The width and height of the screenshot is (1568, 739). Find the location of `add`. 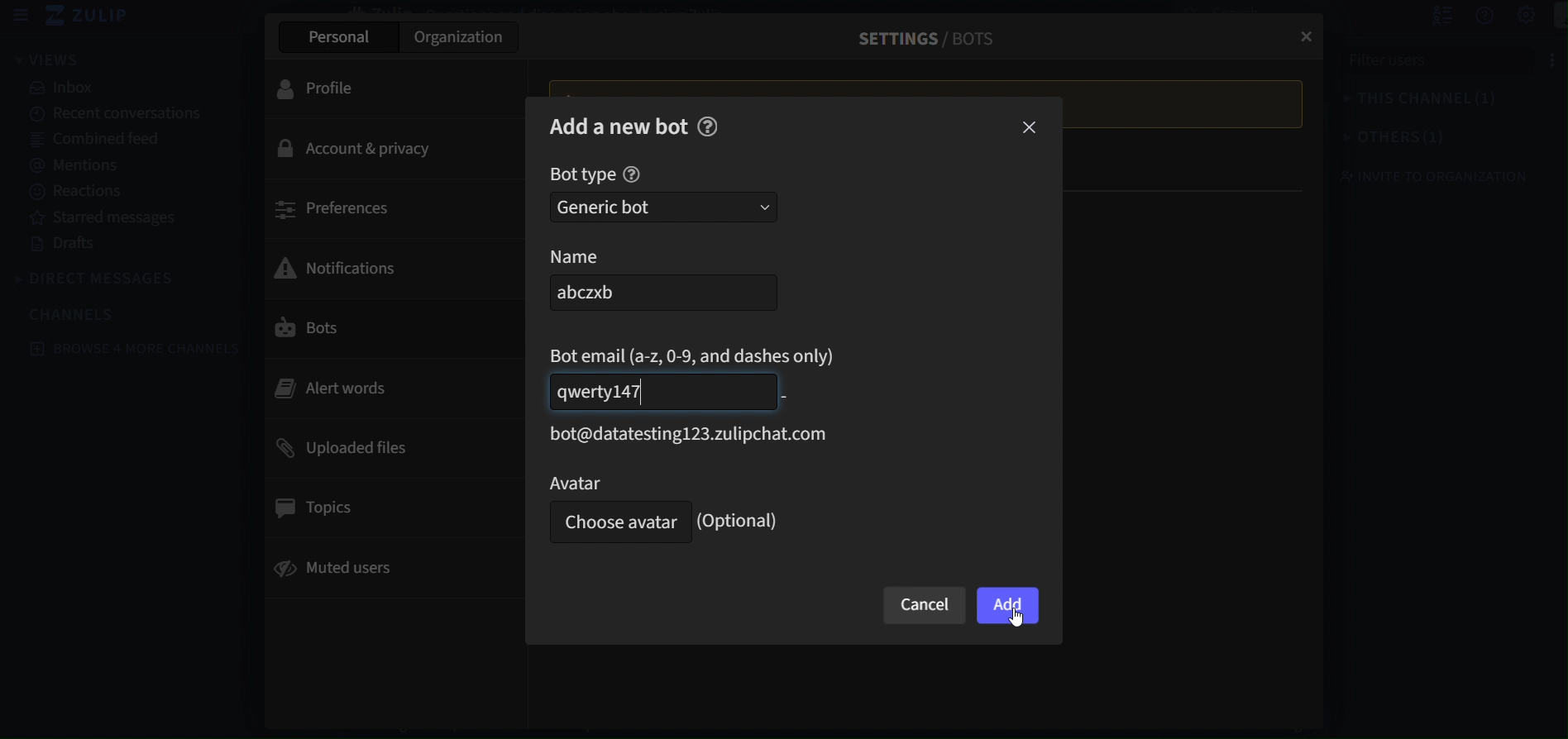

add is located at coordinates (1008, 607).